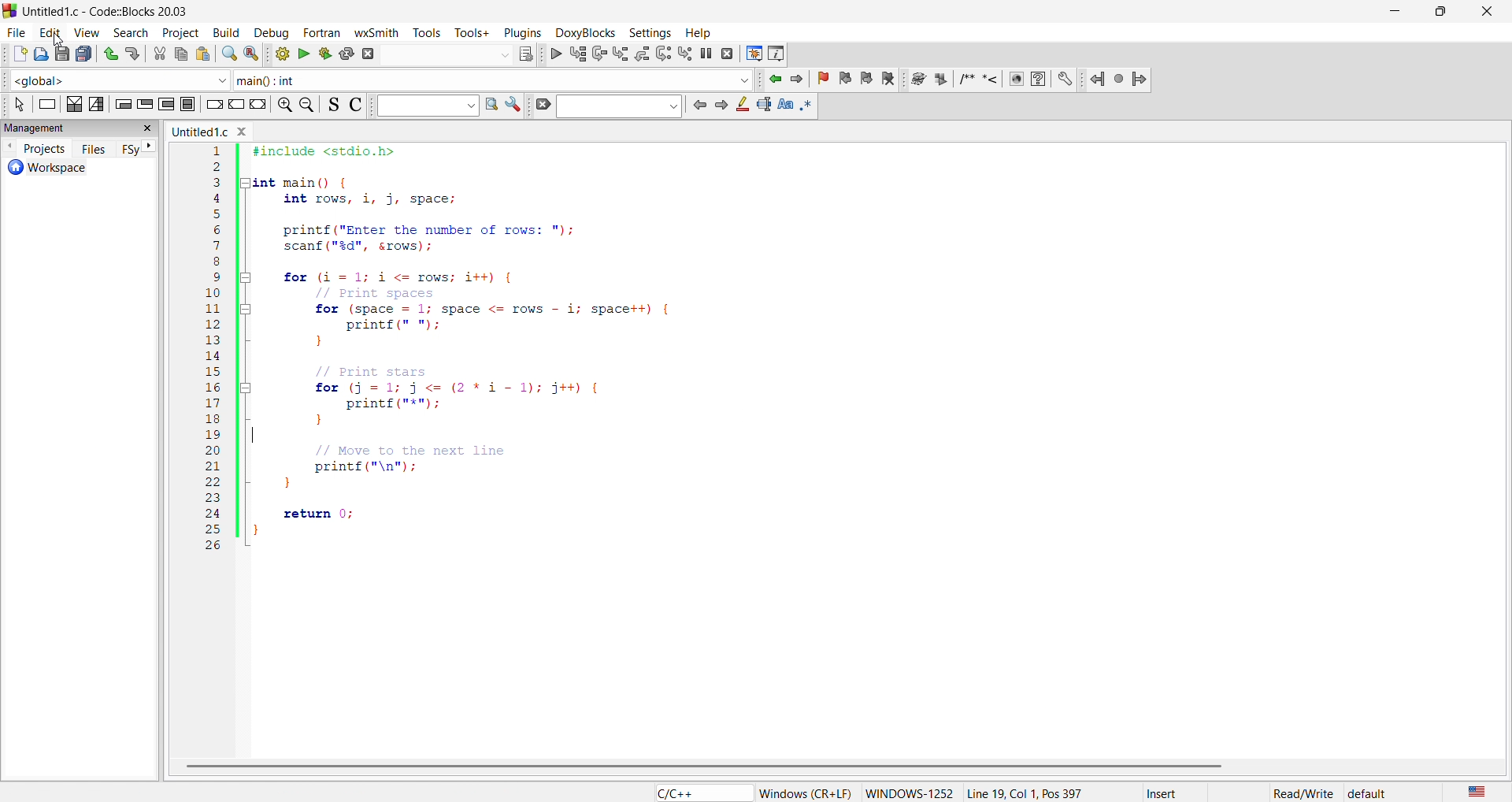 The image size is (1512, 802). I want to click on run, so click(302, 53).